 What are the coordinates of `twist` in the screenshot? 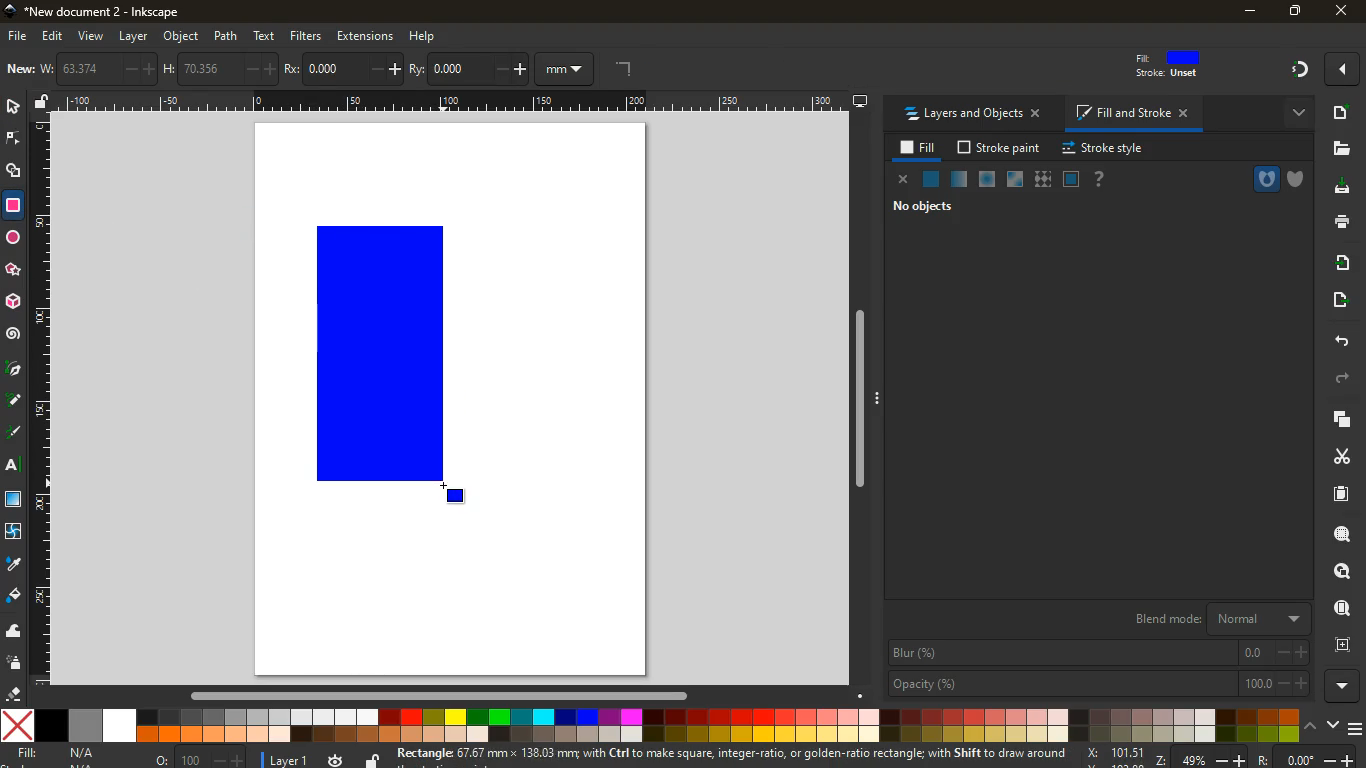 It's located at (15, 533).